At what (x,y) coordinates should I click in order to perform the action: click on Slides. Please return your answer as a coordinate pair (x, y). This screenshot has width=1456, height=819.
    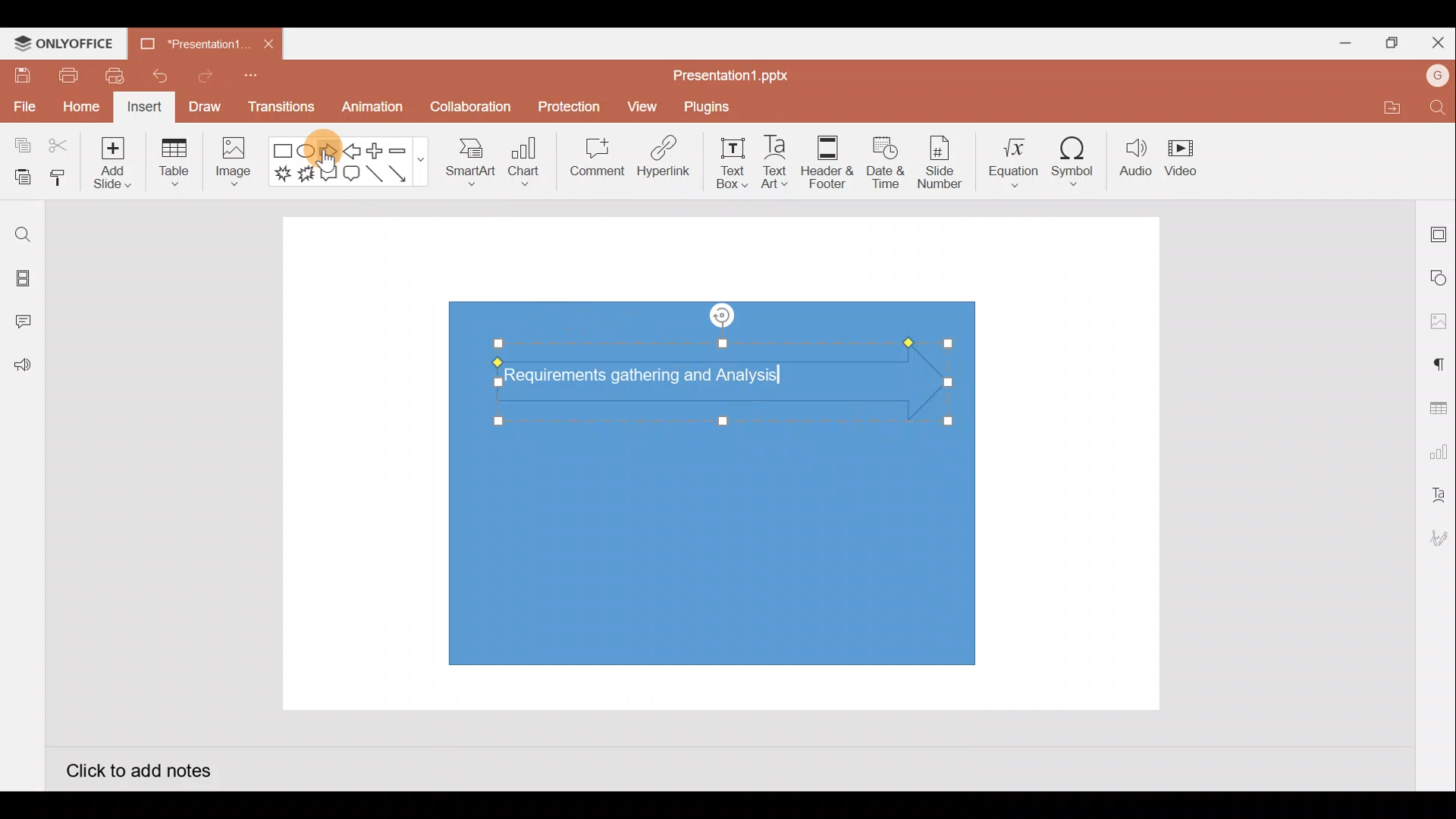
    Looking at the image, I should click on (21, 281).